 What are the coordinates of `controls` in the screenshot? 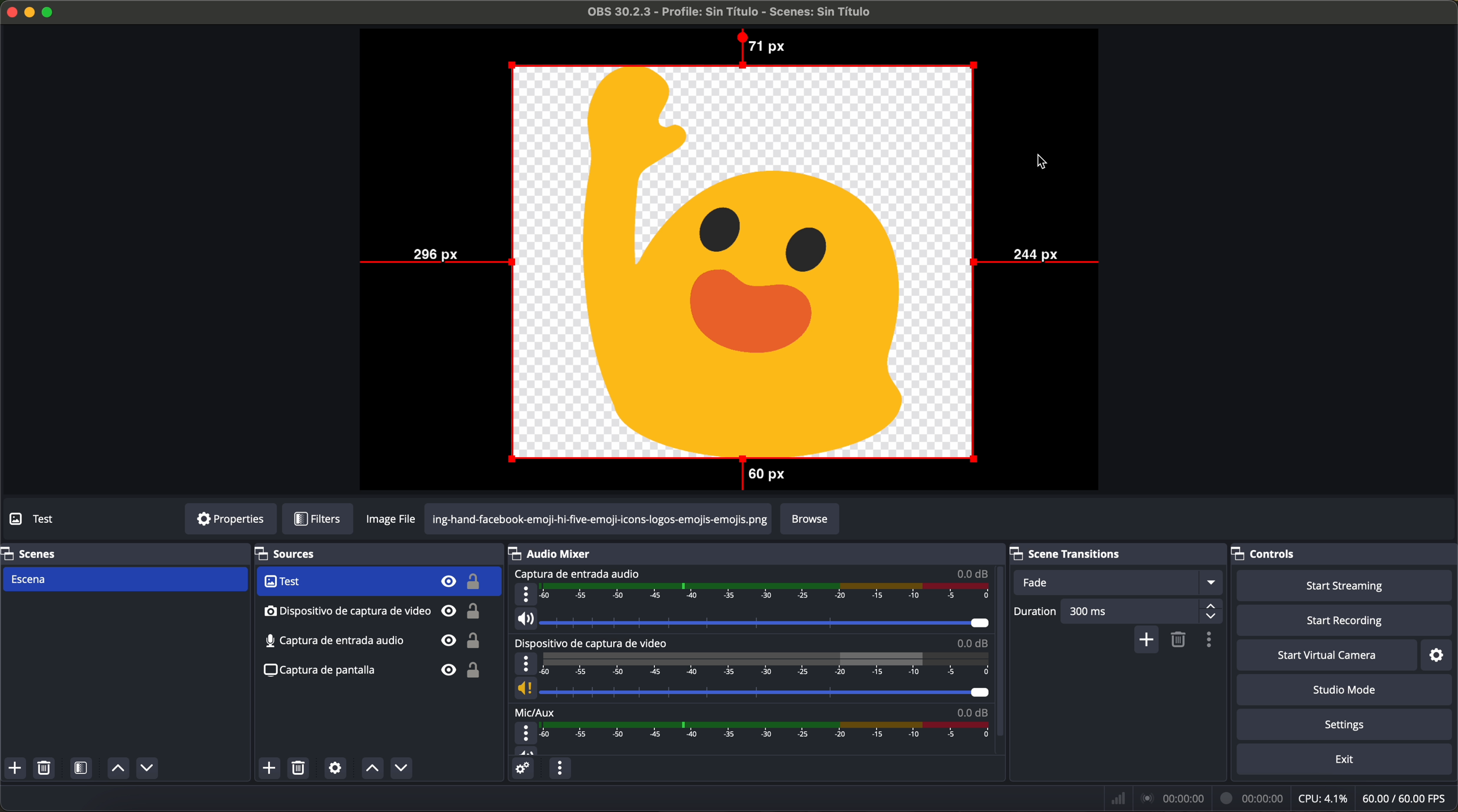 It's located at (1274, 551).